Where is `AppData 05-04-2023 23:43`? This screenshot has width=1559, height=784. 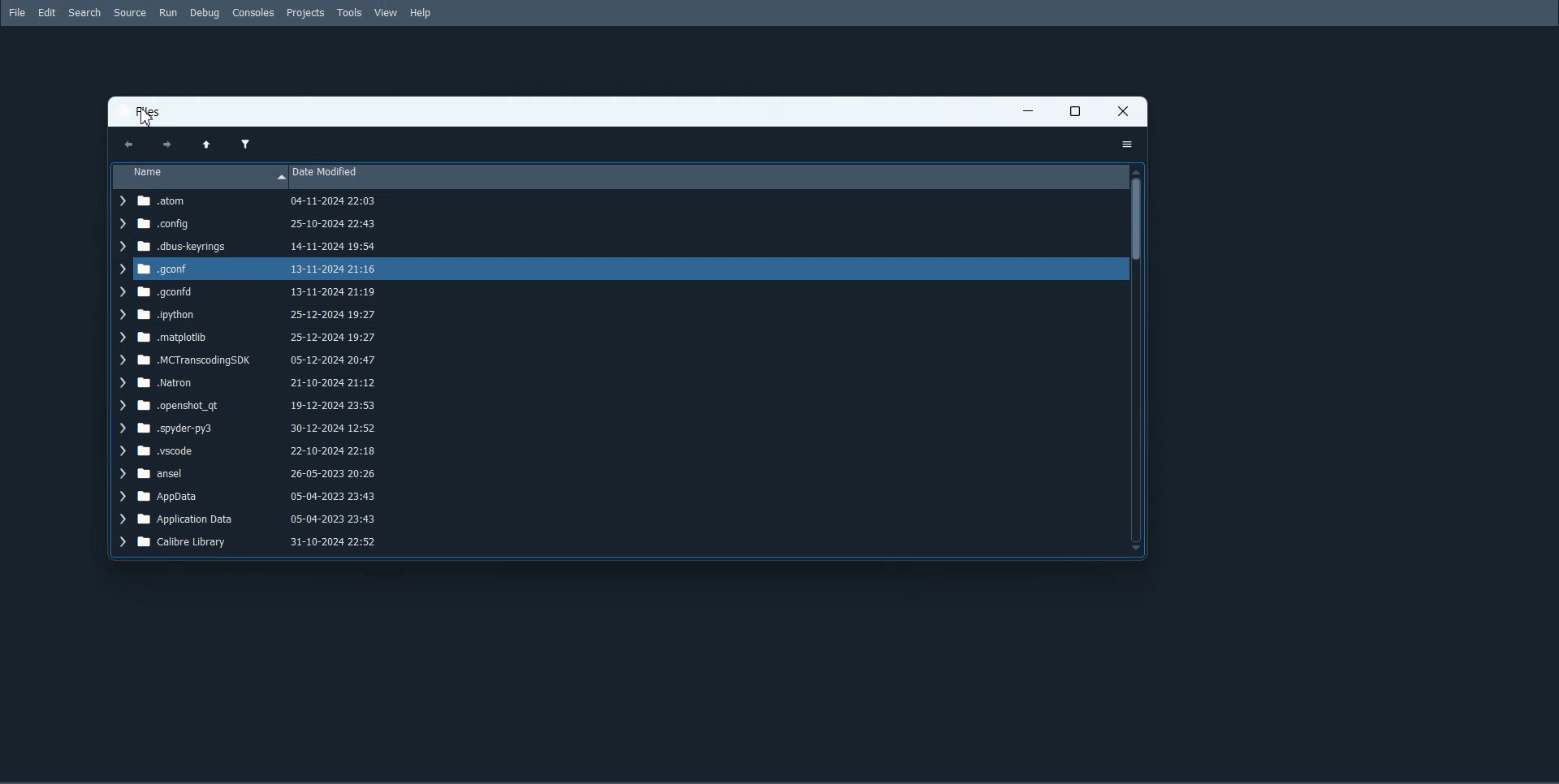 AppData 05-04-2023 23:43 is located at coordinates (249, 498).